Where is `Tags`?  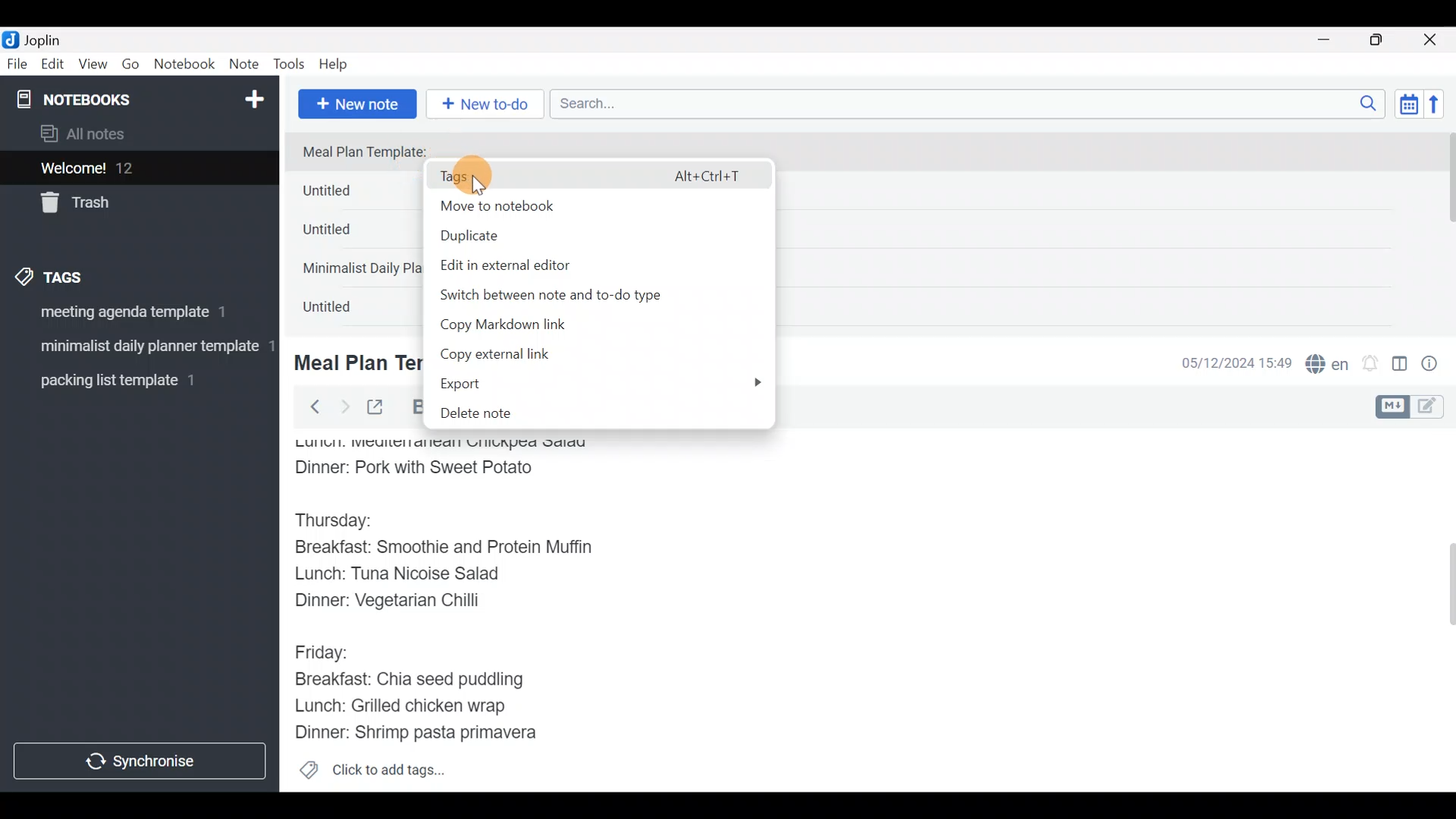
Tags is located at coordinates (85, 275).